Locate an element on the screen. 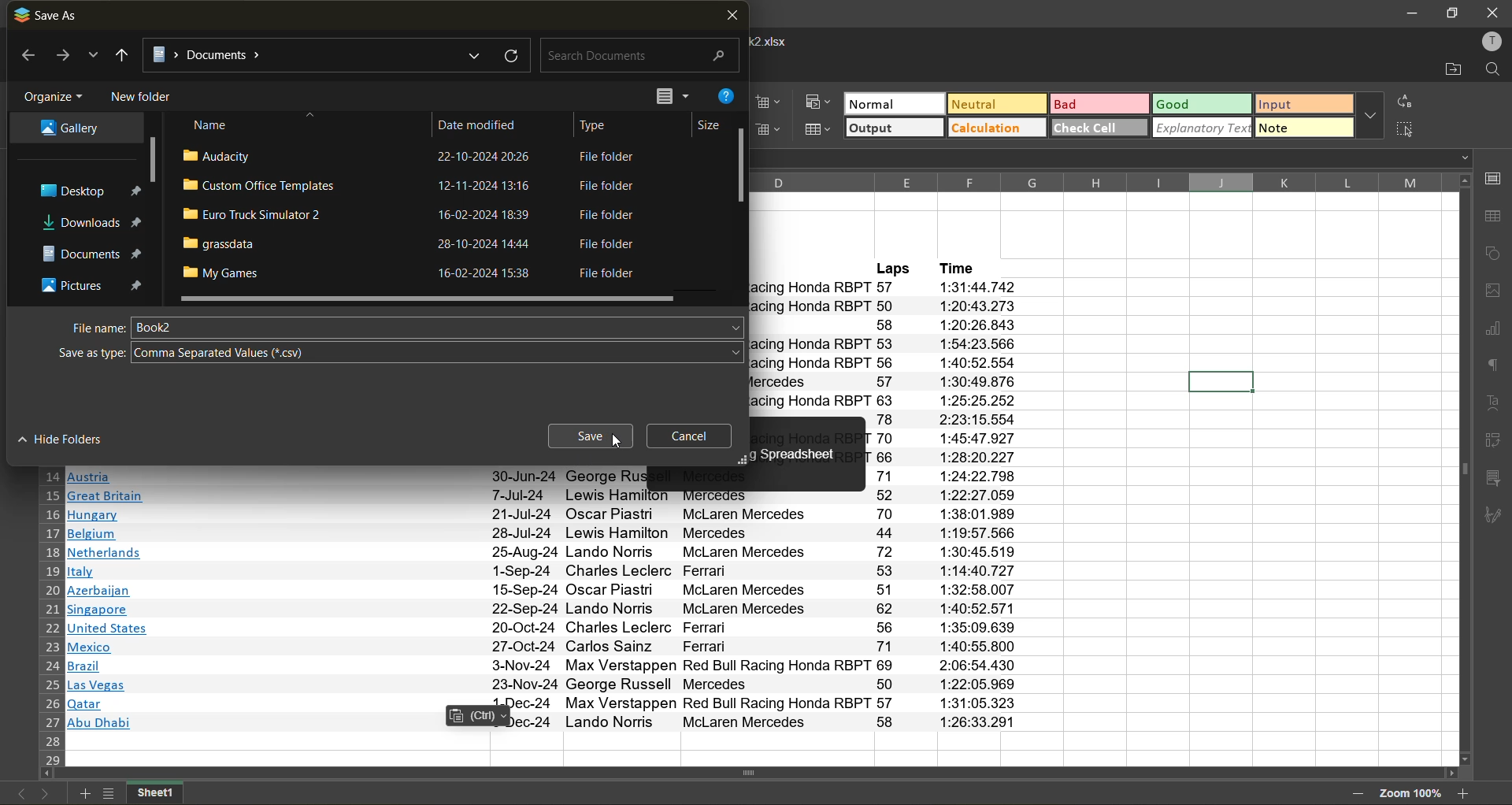 The width and height of the screenshot is (1512, 805). text info is located at coordinates (552, 684).